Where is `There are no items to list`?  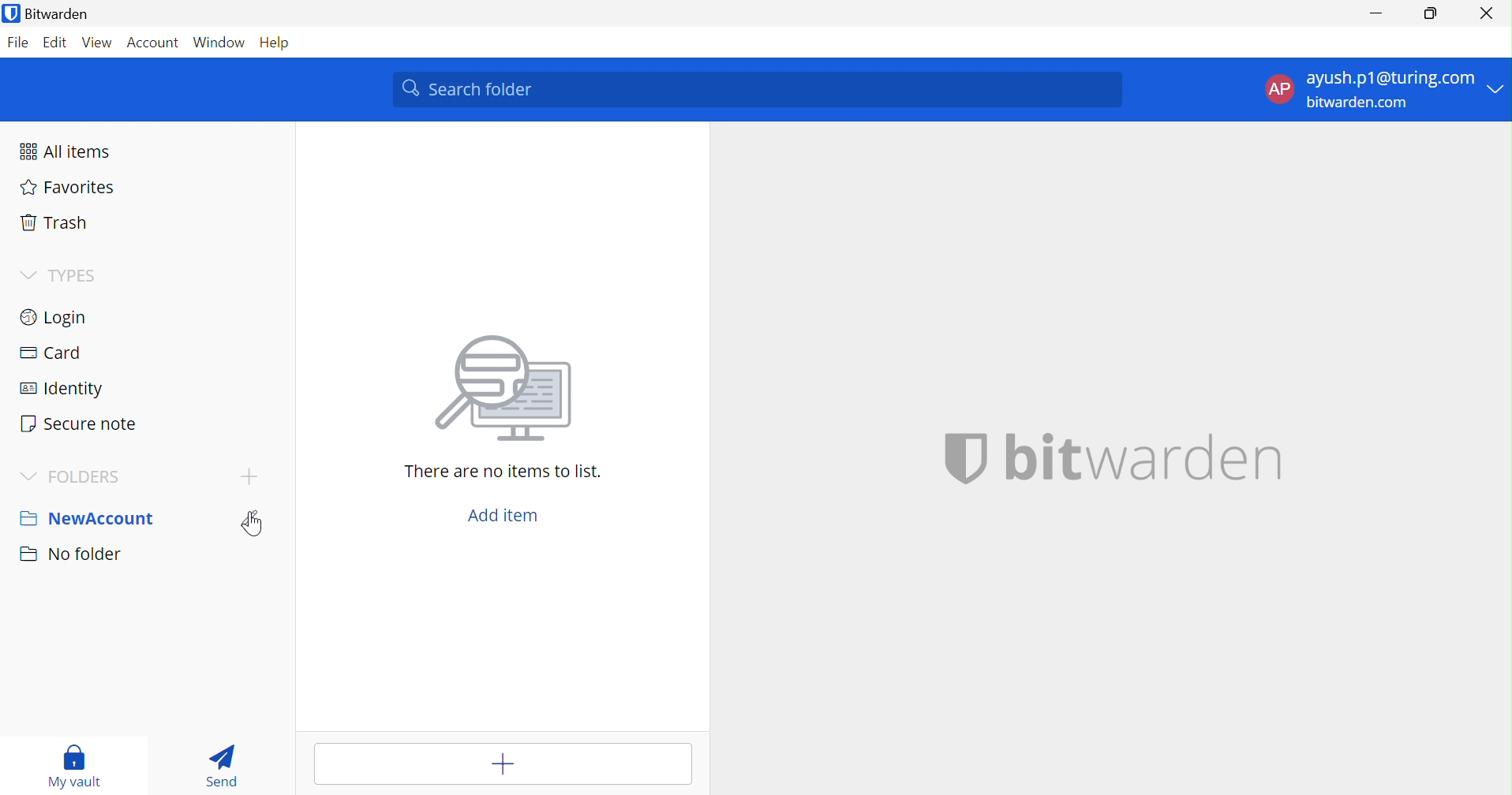
There are no items to list is located at coordinates (504, 471).